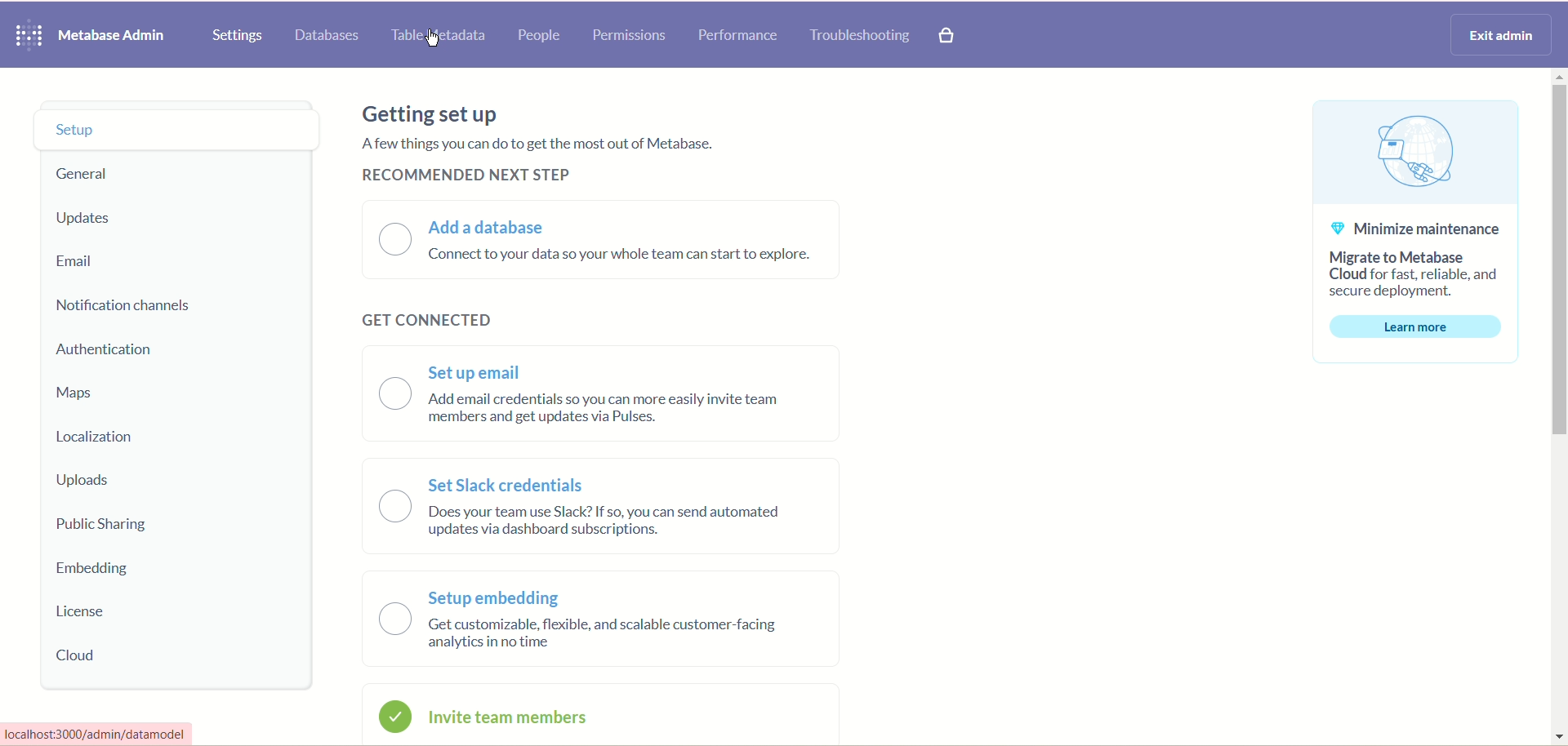 The image size is (1568, 746). I want to click on get connected, so click(435, 317).